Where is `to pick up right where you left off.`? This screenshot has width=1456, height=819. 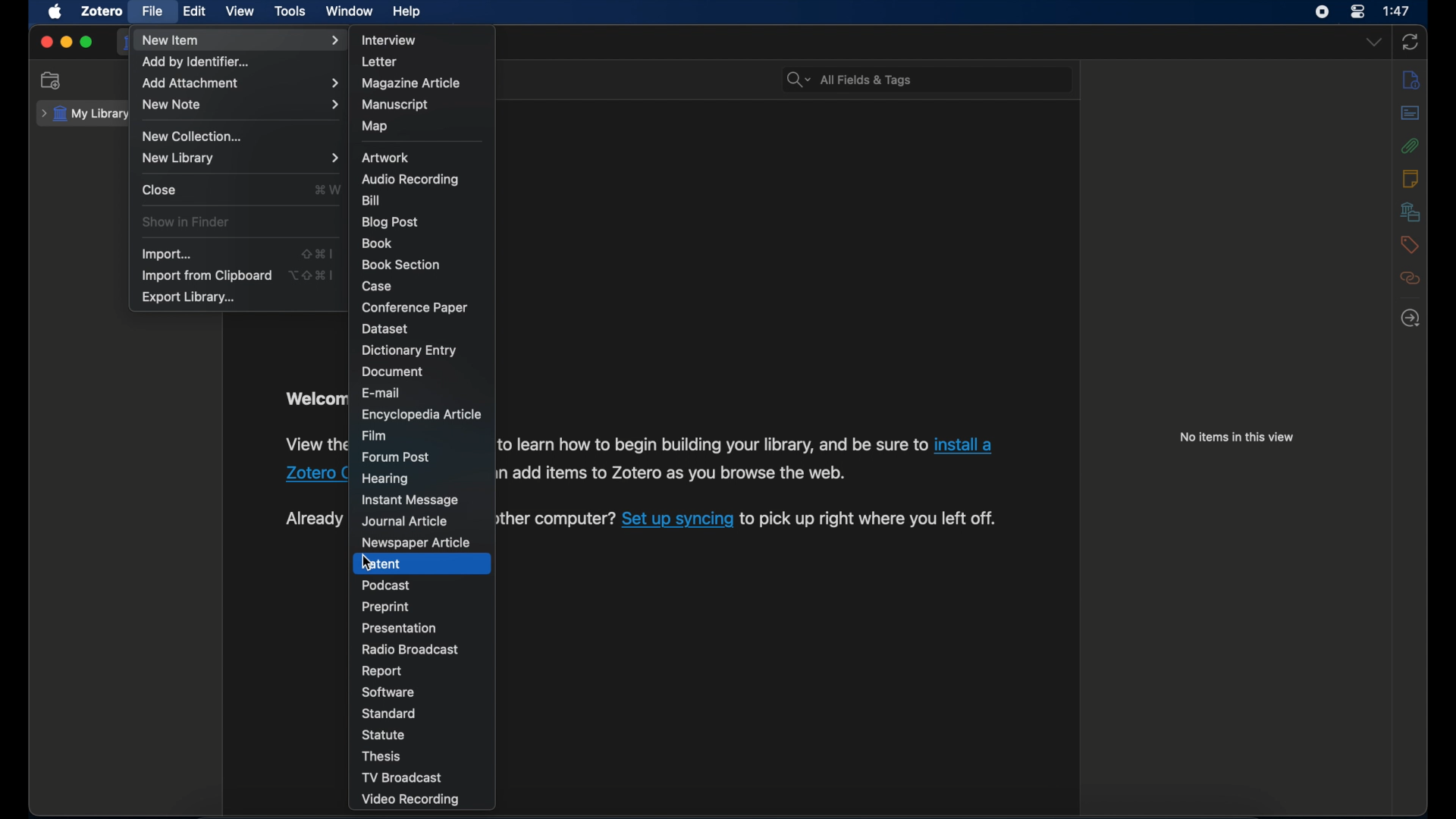
to pick up right where you left off. is located at coordinates (869, 519).